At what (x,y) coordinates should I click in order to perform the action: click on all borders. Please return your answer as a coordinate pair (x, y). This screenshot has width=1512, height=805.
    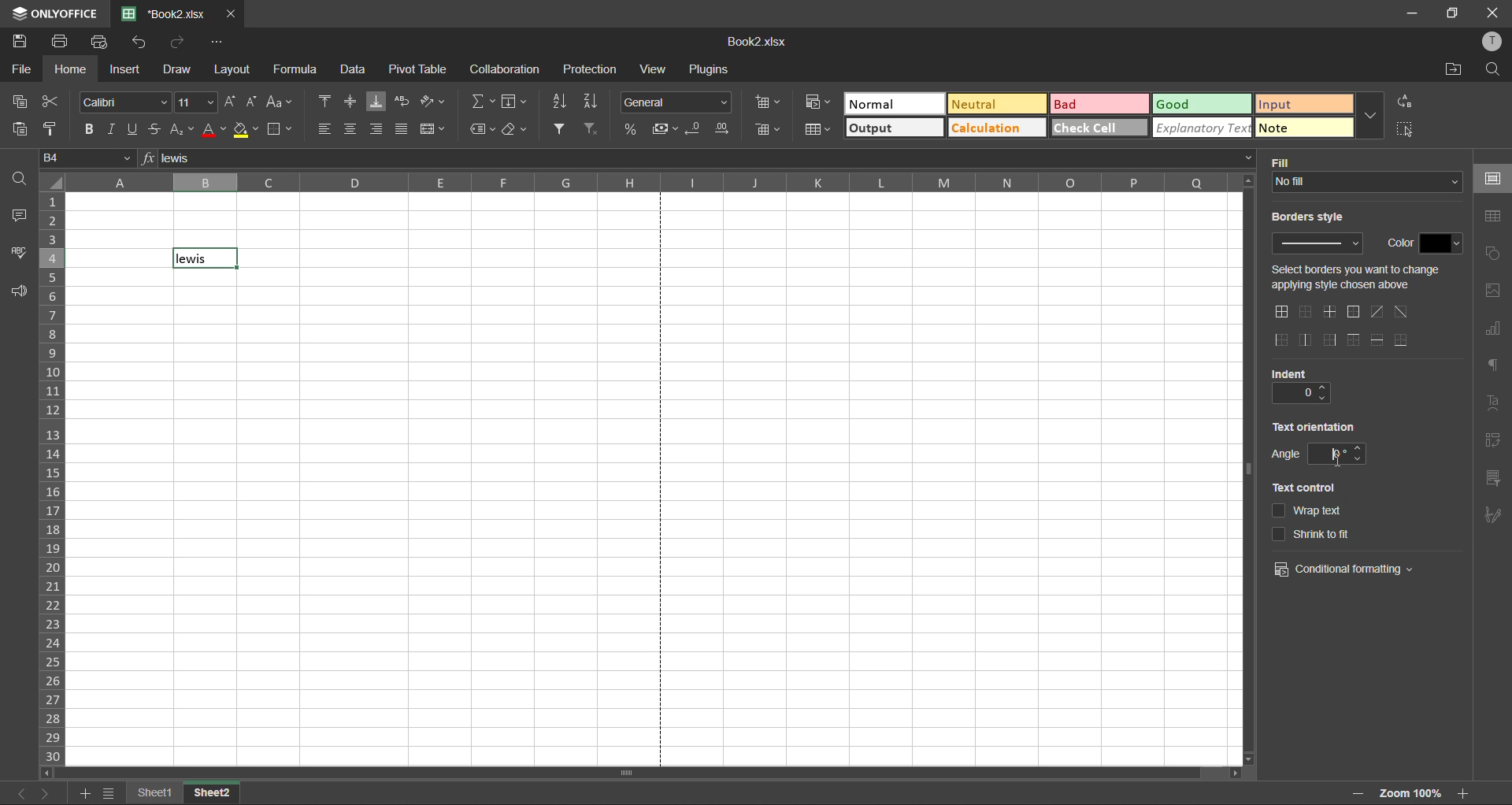
    Looking at the image, I should click on (1280, 312).